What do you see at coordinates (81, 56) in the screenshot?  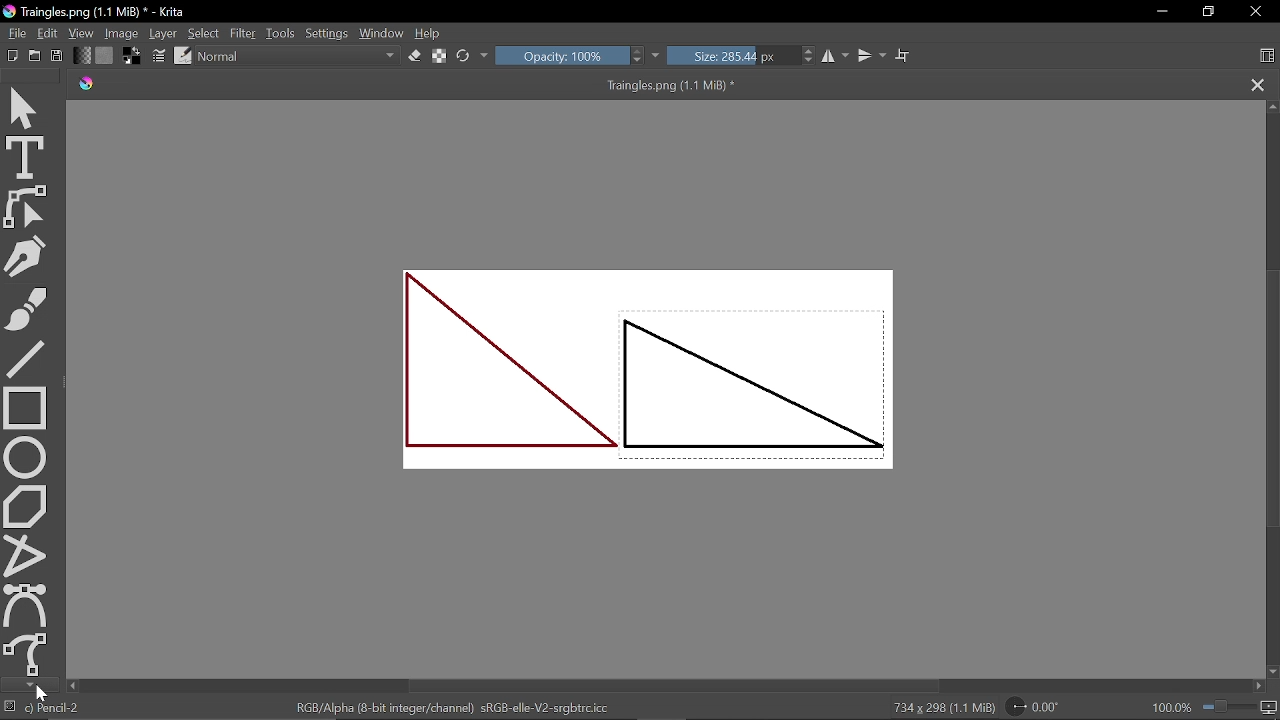 I see `Gradient fill` at bounding box center [81, 56].